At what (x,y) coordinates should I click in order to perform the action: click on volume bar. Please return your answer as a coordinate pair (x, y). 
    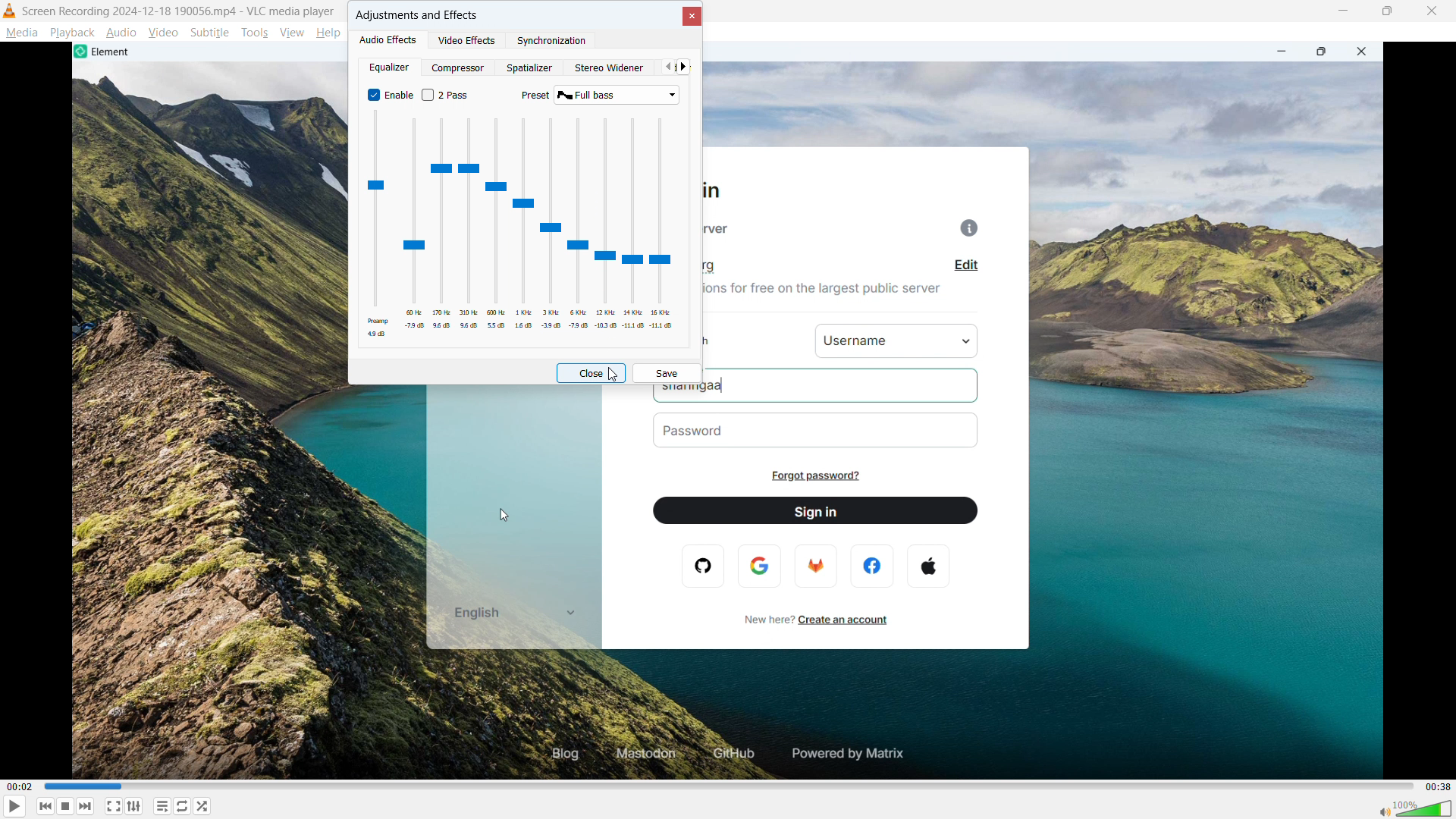
    Looking at the image, I should click on (1412, 808).